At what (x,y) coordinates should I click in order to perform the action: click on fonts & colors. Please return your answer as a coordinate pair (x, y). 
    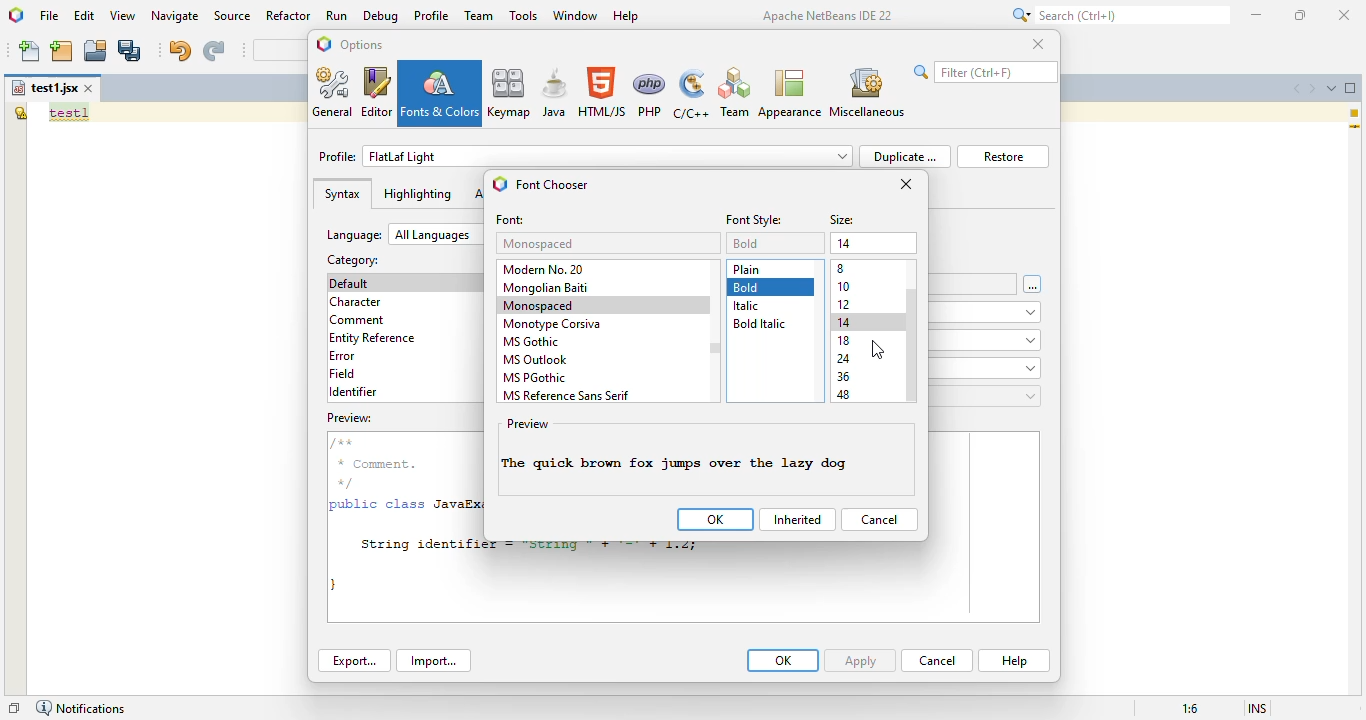
    Looking at the image, I should click on (441, 93).